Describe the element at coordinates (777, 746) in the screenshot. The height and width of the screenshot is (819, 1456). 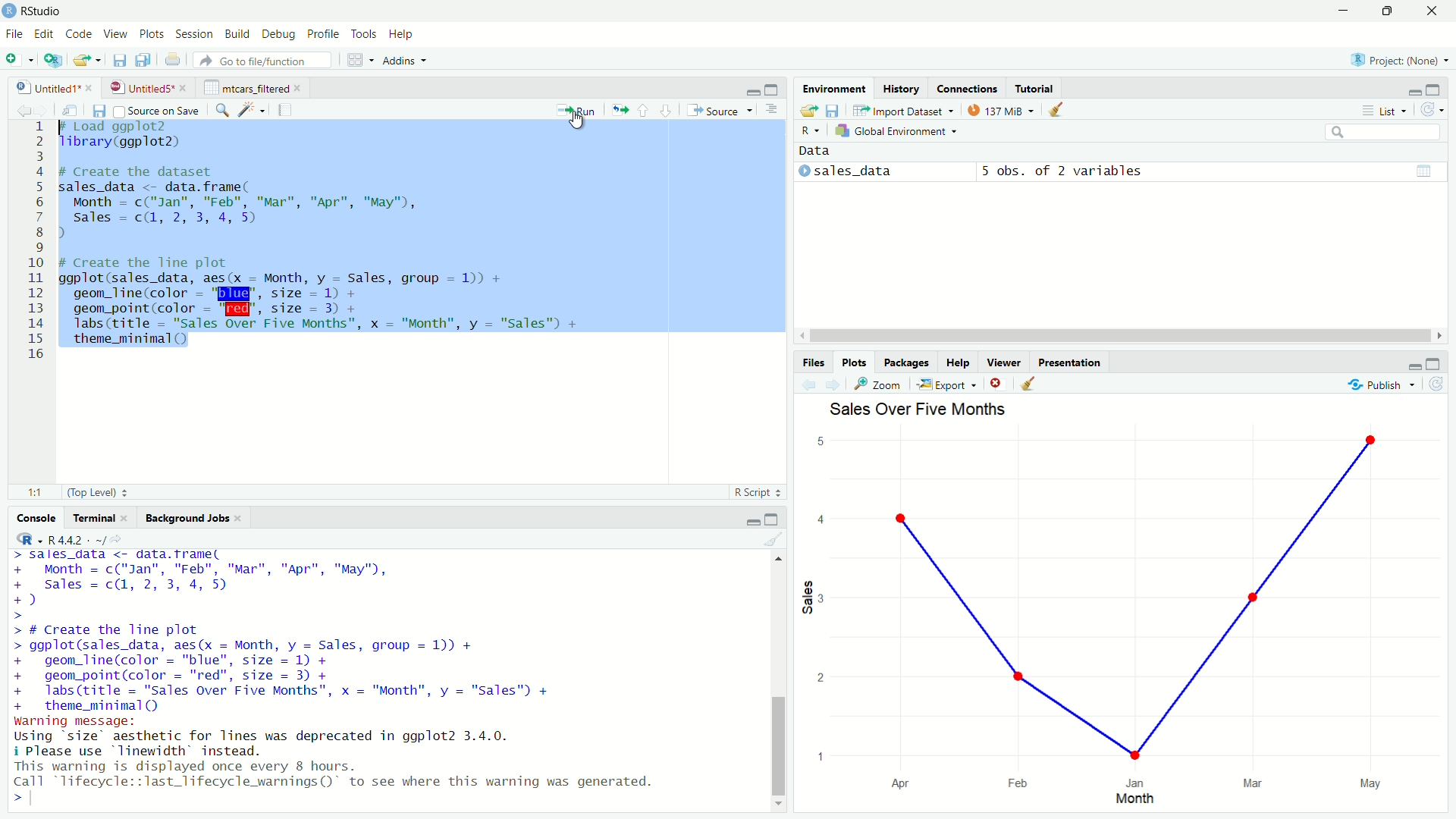
I see `scroll bar` at that location.